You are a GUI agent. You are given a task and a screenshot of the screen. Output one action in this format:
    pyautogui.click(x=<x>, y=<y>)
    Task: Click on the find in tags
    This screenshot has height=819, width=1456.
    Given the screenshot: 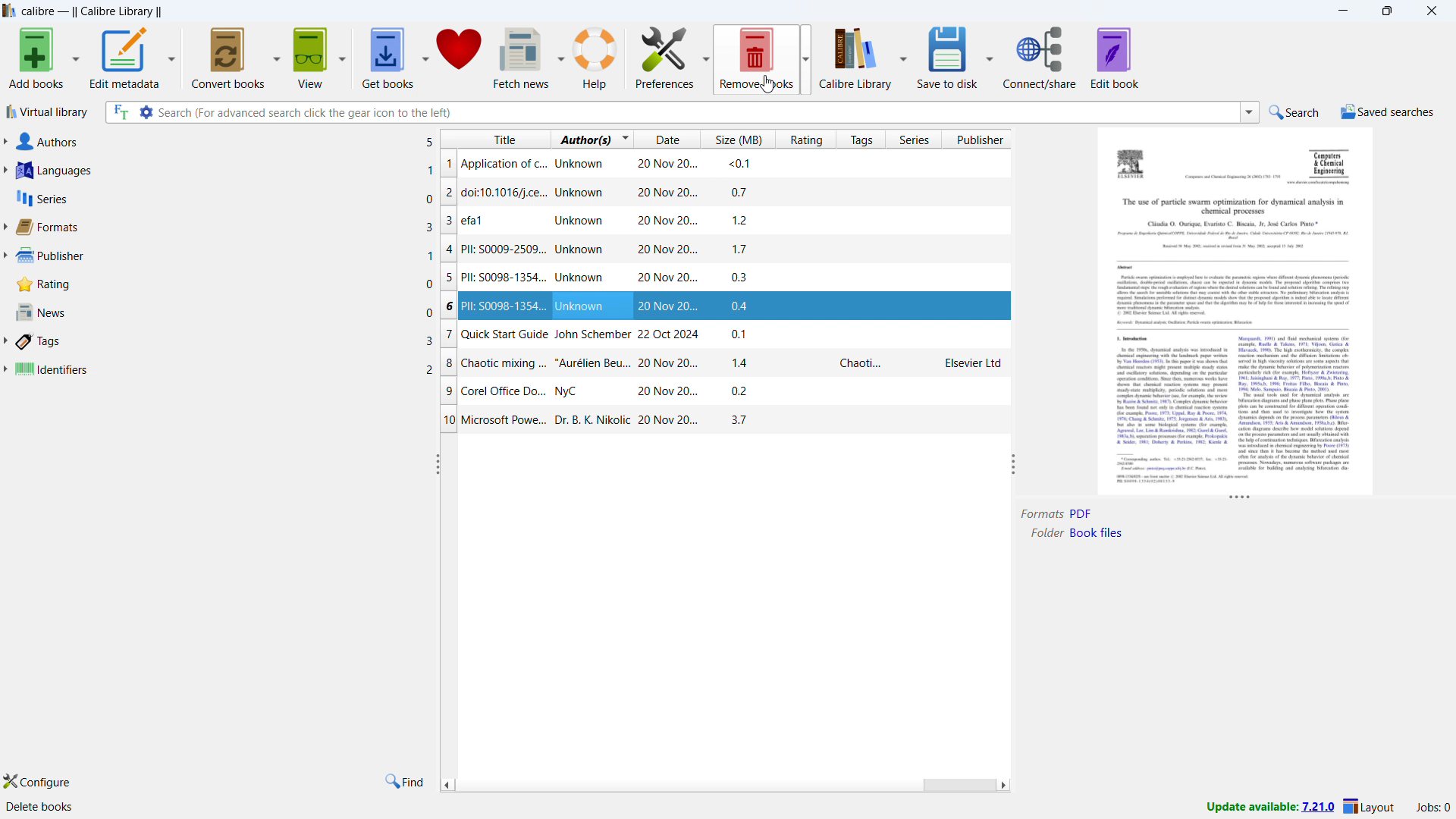 What is the action you would take?
    pyautogui.click(x=404, y=782)
    